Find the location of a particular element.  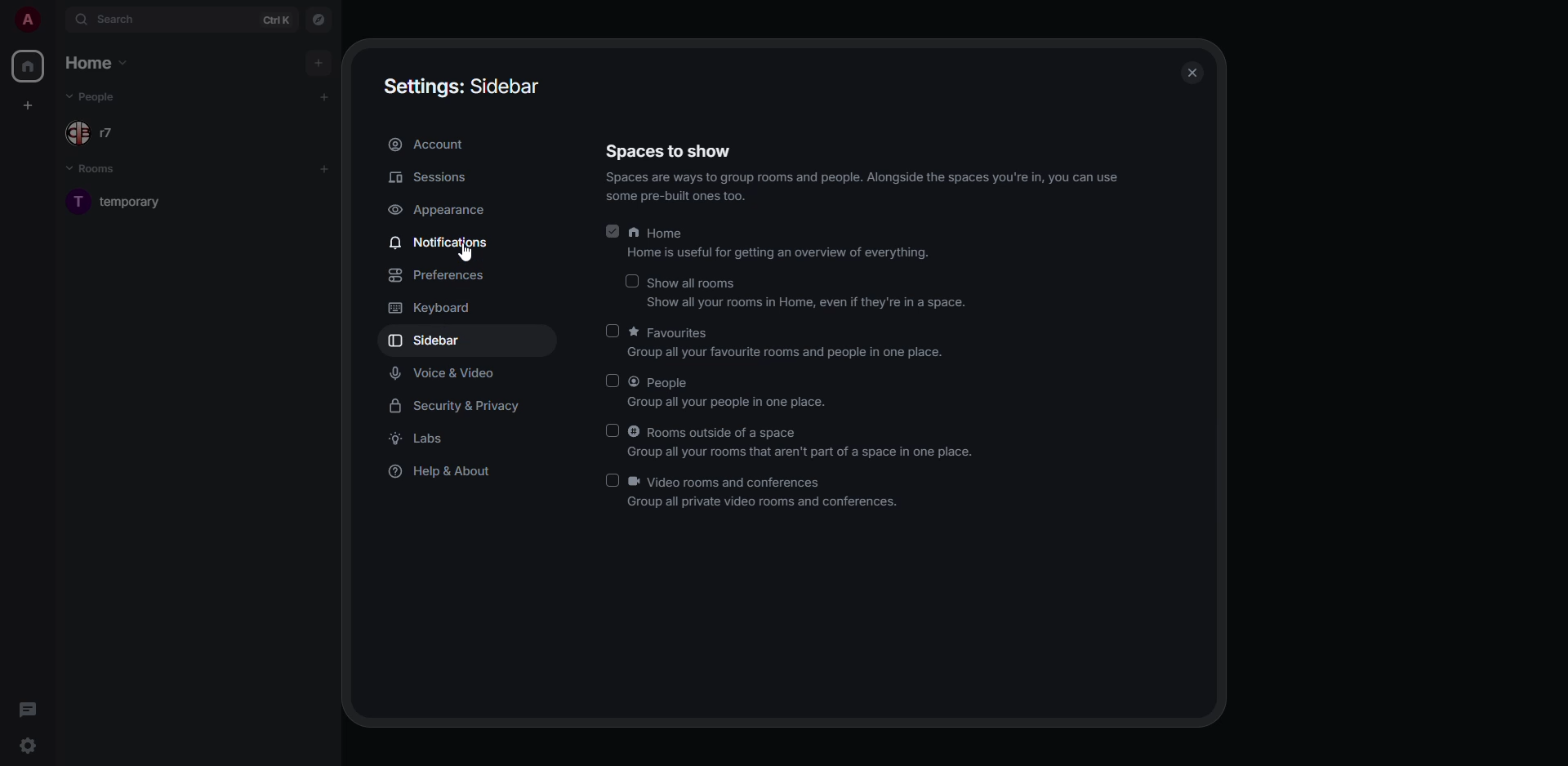

cursor is located at coordinates (471, 256).